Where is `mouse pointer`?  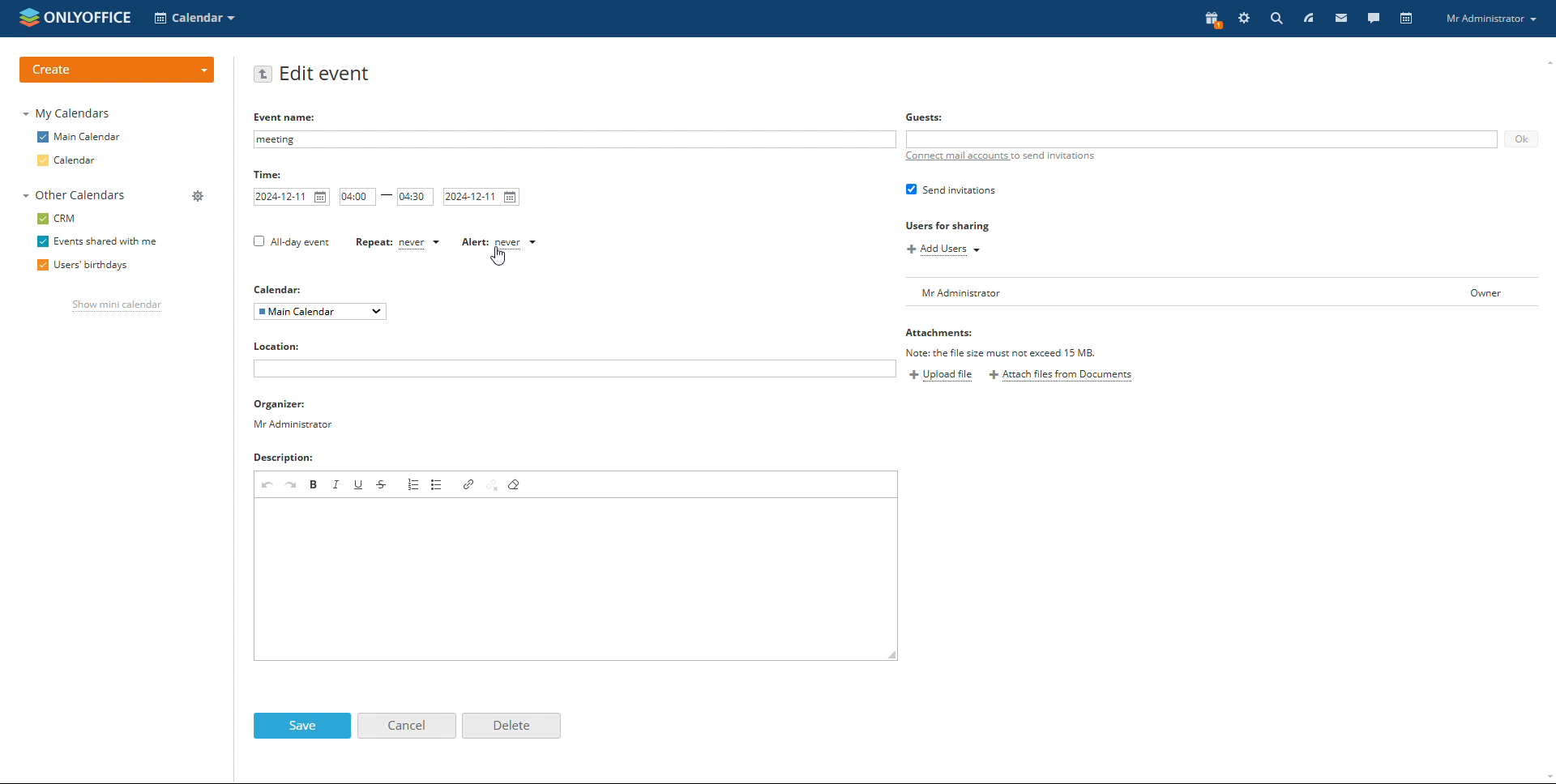
mouse pointer is located at coordinates (498, 256).